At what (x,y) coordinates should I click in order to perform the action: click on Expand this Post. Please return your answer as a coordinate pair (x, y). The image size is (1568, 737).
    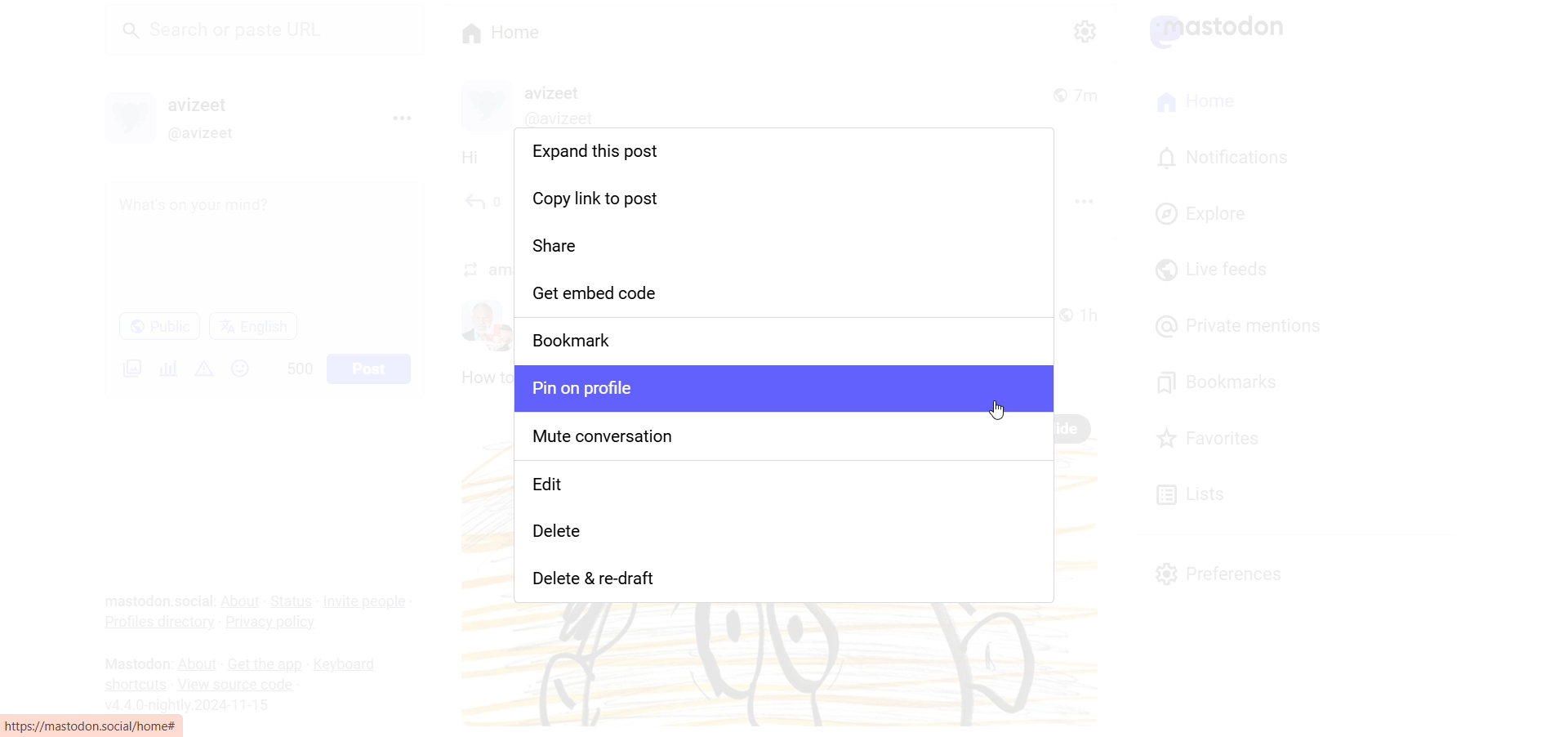
    Looking at the image, I should click on (782, 154).